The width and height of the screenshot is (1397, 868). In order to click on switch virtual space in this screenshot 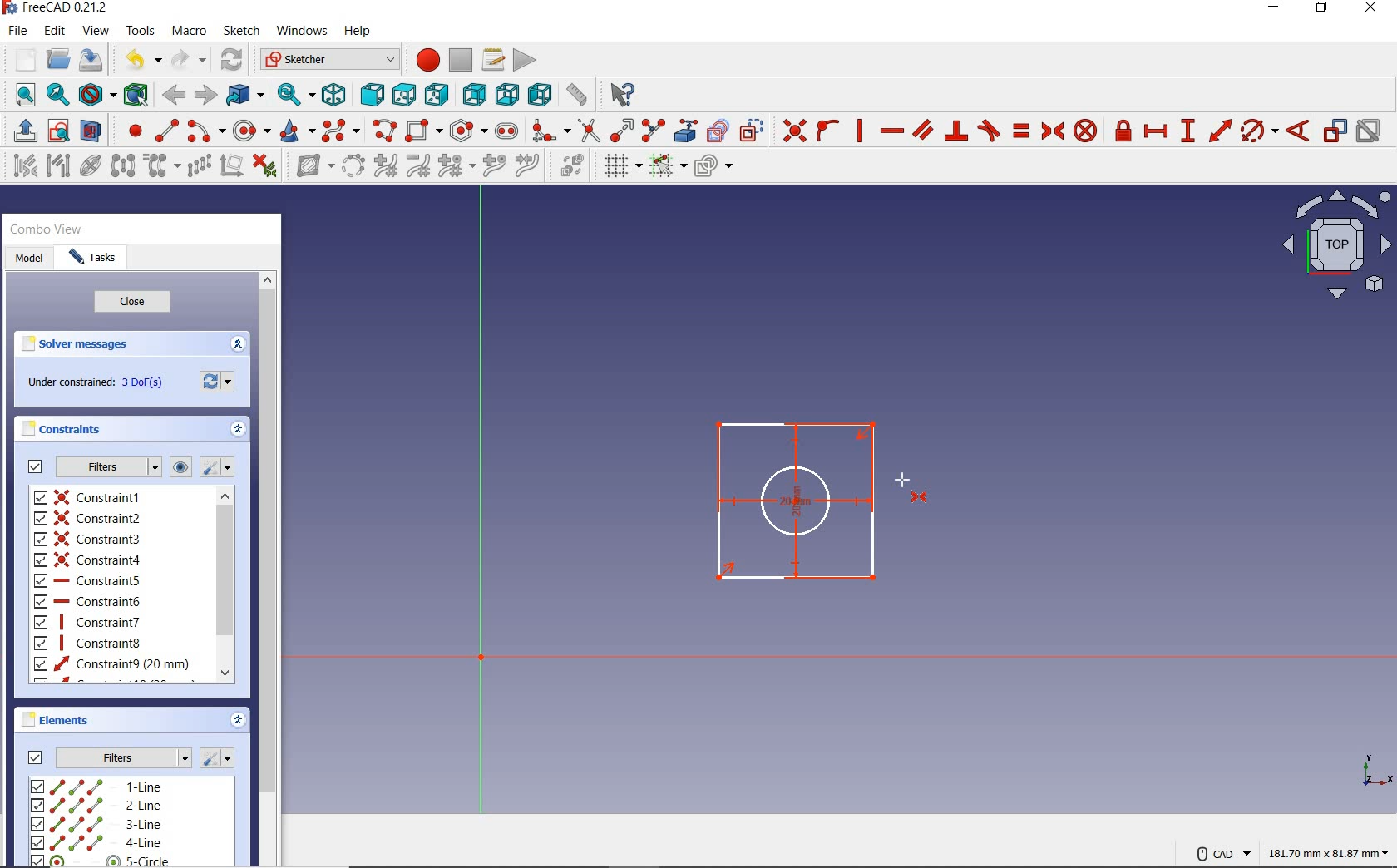, I will do `click(569, 167)`.